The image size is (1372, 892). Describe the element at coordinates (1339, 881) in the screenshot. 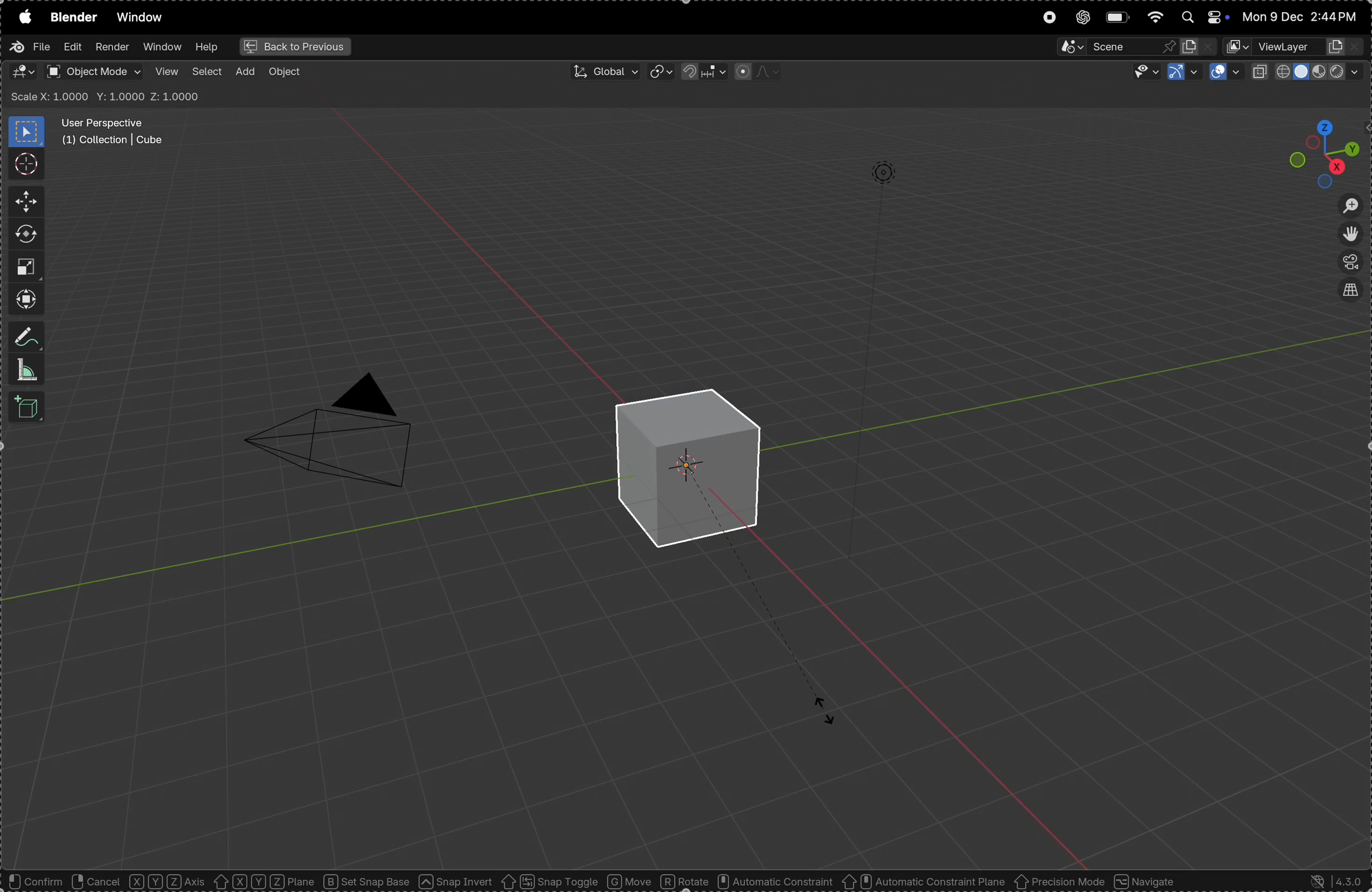

I see `version` at that location.